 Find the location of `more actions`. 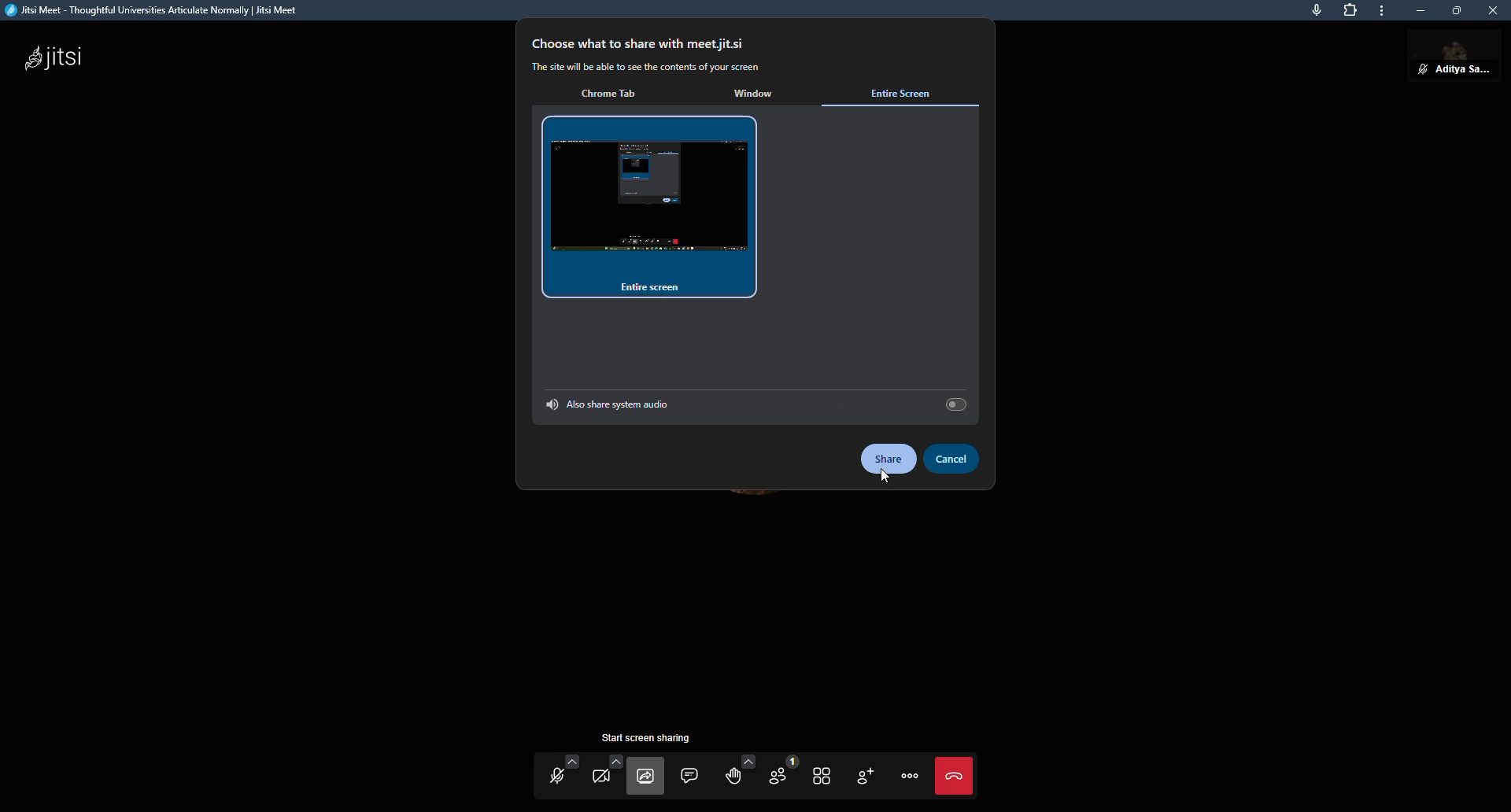

more actions is located at coordinates (910, 777).